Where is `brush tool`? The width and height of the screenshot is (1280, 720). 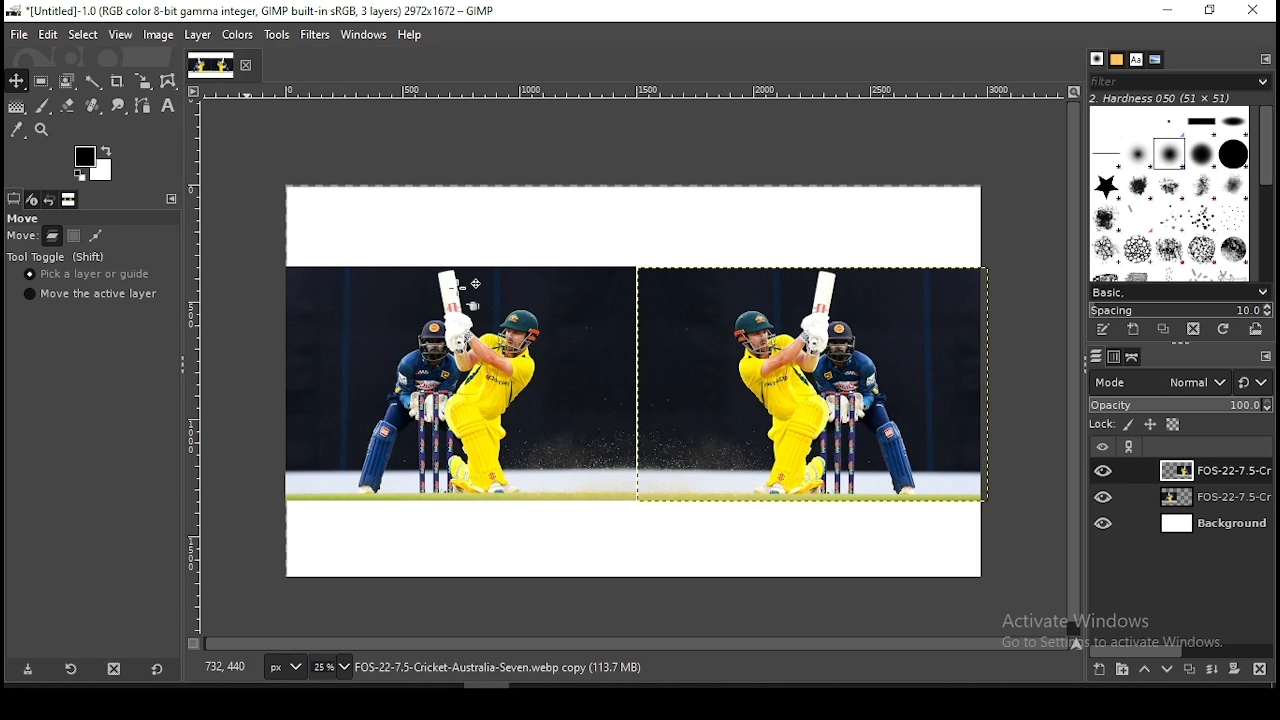 brush tool is located at coordinates (43, 106).